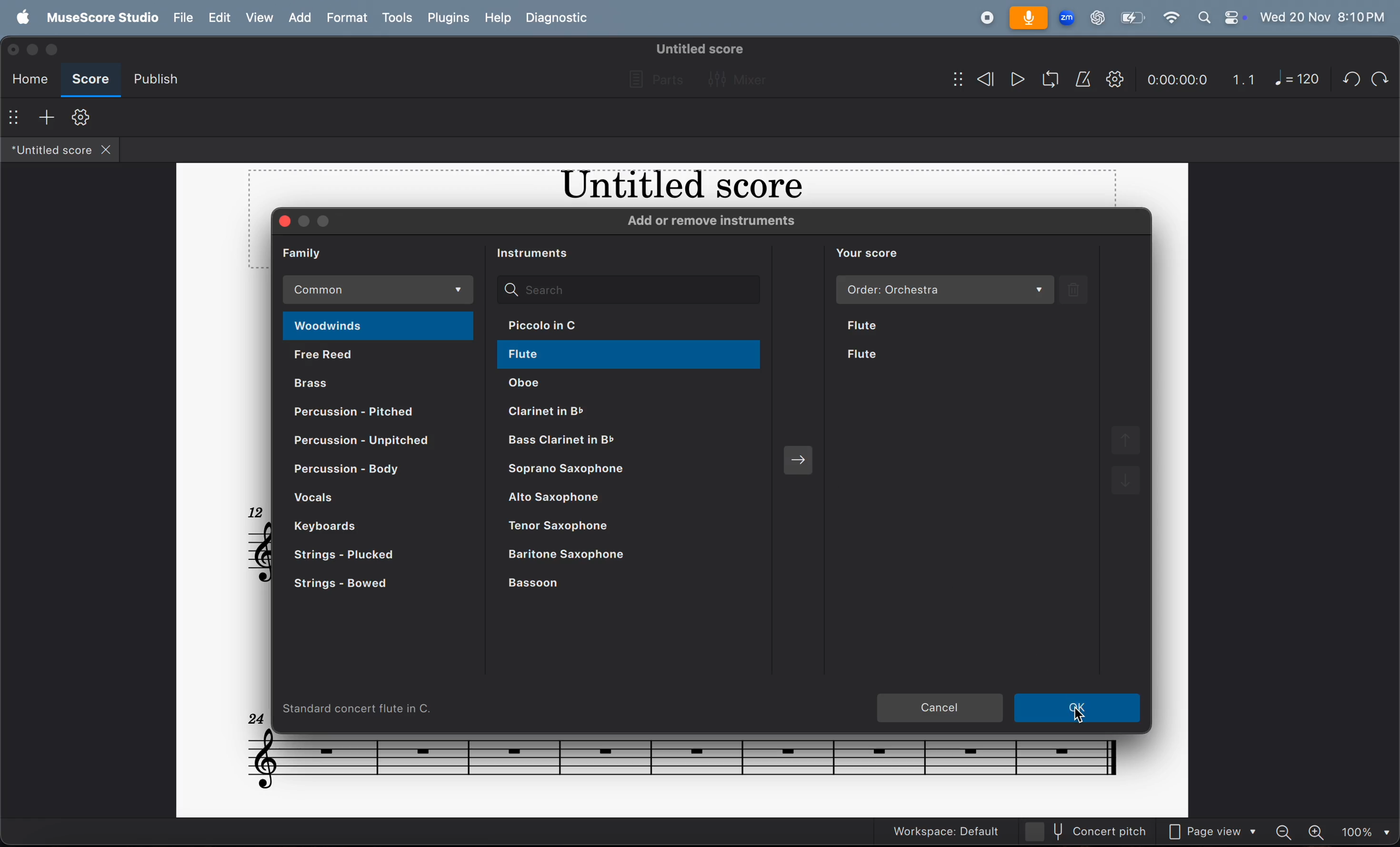  I want to click on set zoom - 100%, so click(1364, 831).